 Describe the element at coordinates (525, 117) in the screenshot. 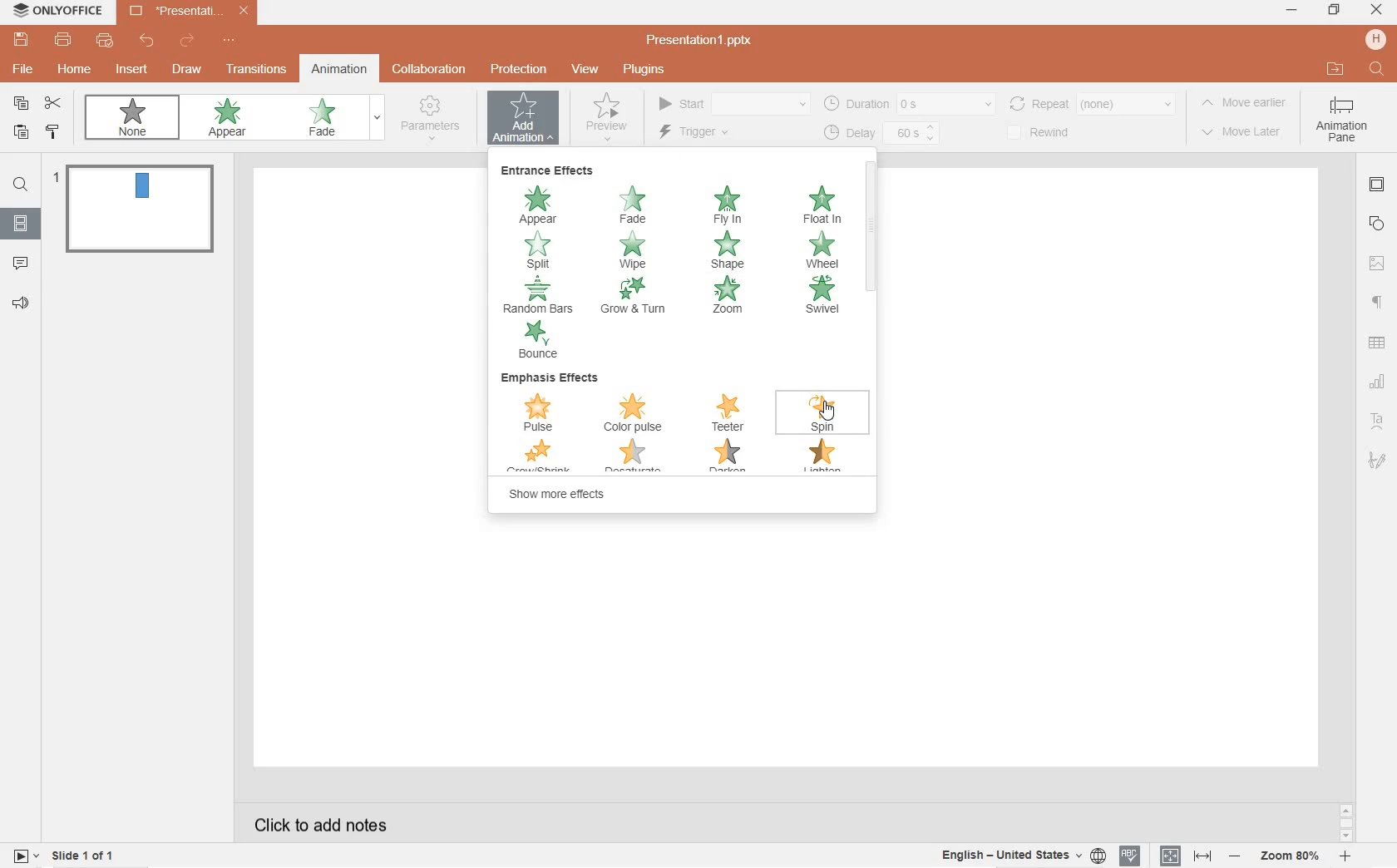

I see `add animation` at that location.